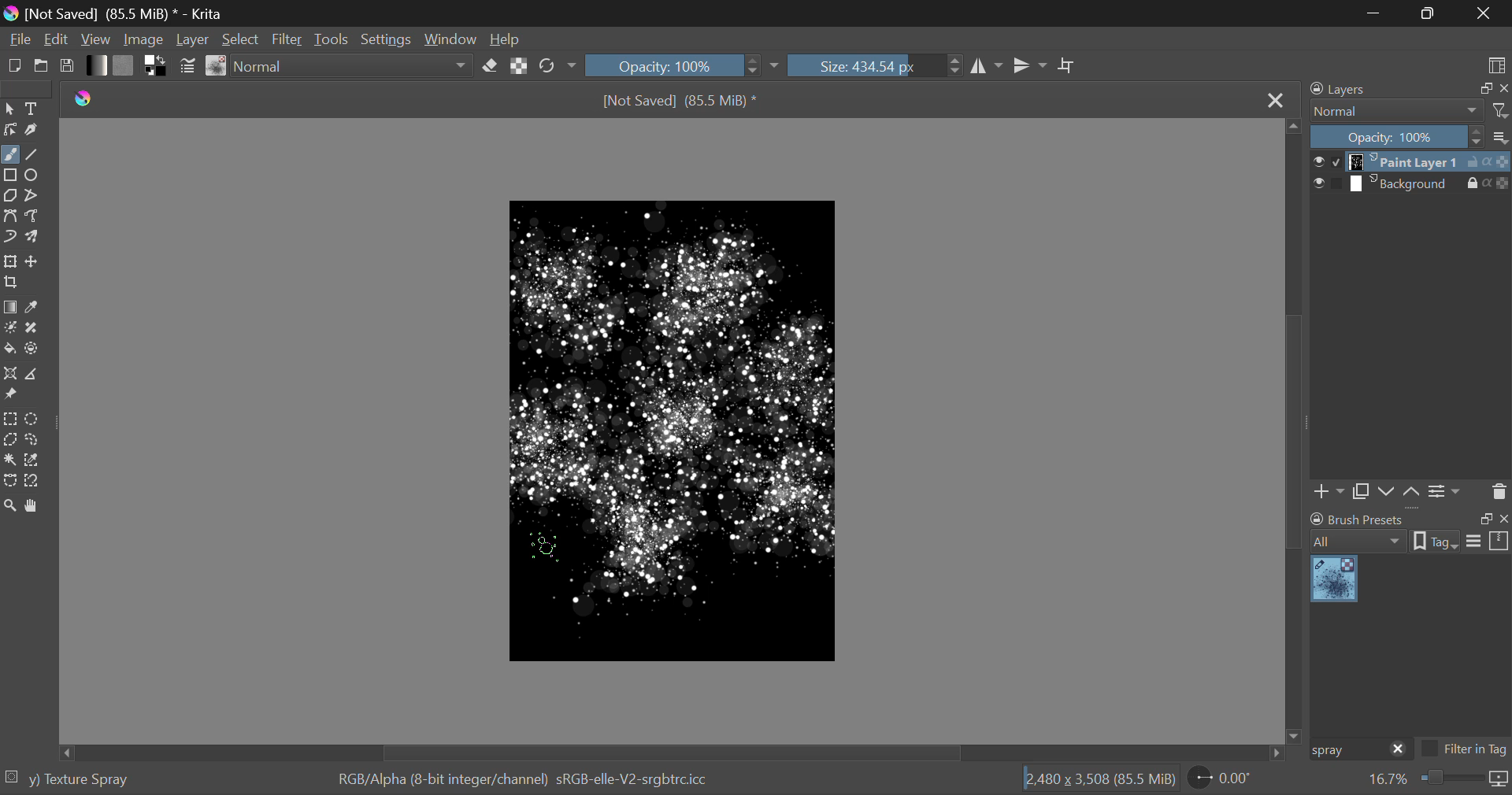 The height and width of the screenshot is (795, 1512). What do you see at coordinates (57, 39) in the screenshot?
I see `Edit` at bounding box center [57, 39].